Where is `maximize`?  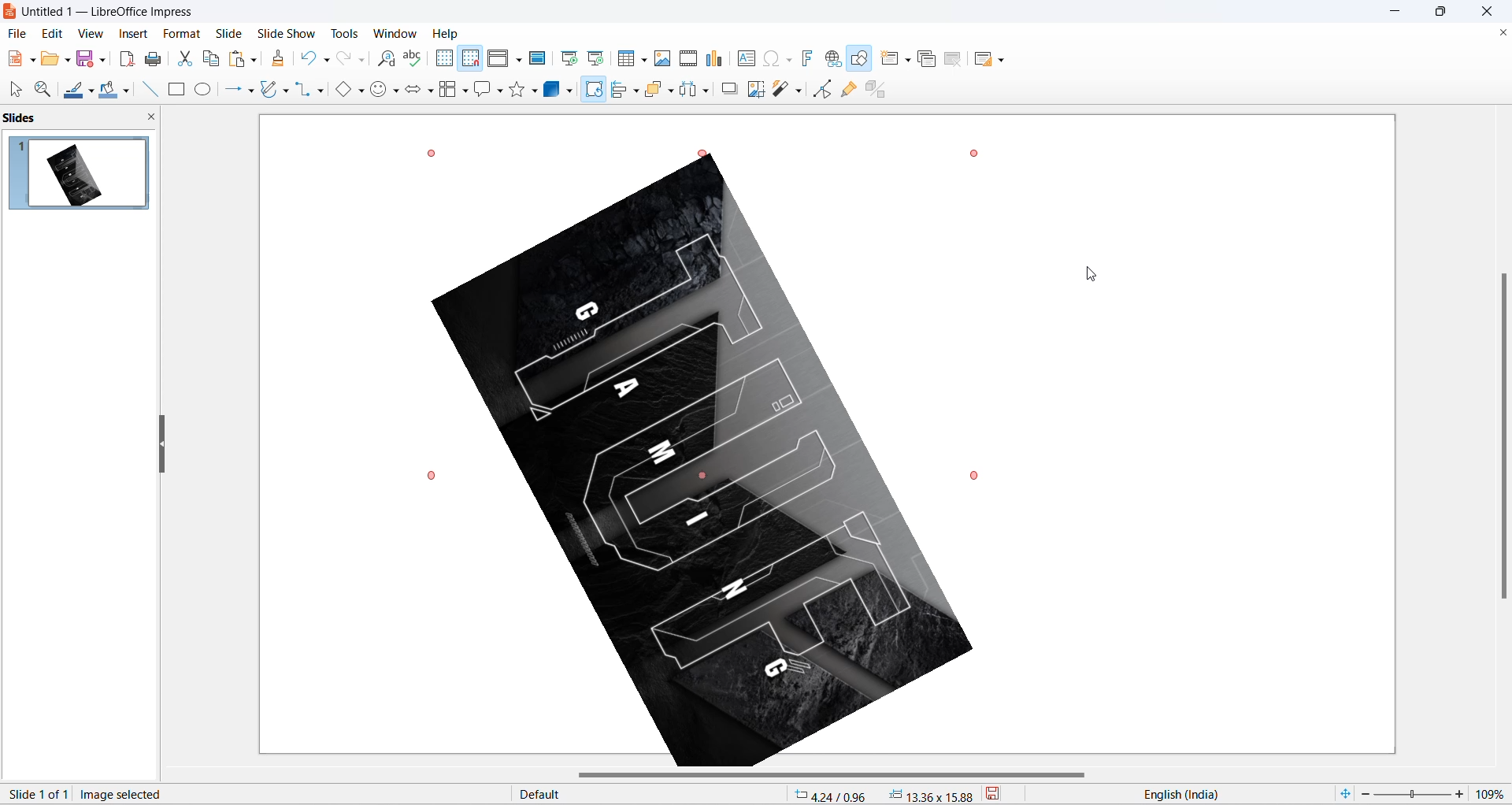
maximize is located at coordinates (1447, 14).